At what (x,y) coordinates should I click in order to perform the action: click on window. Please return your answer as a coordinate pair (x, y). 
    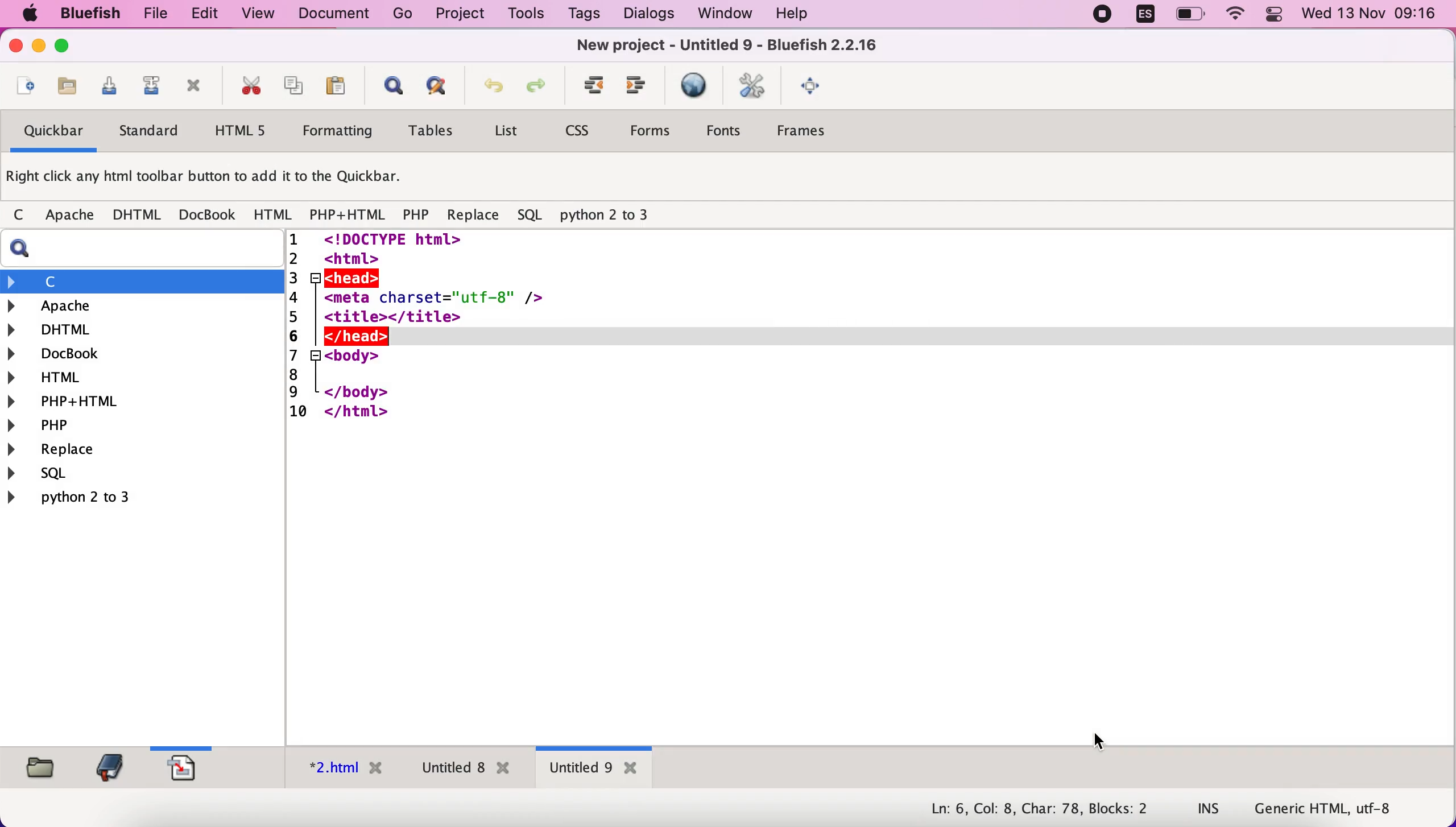
    Looking at the image, I should click on (721, 14).